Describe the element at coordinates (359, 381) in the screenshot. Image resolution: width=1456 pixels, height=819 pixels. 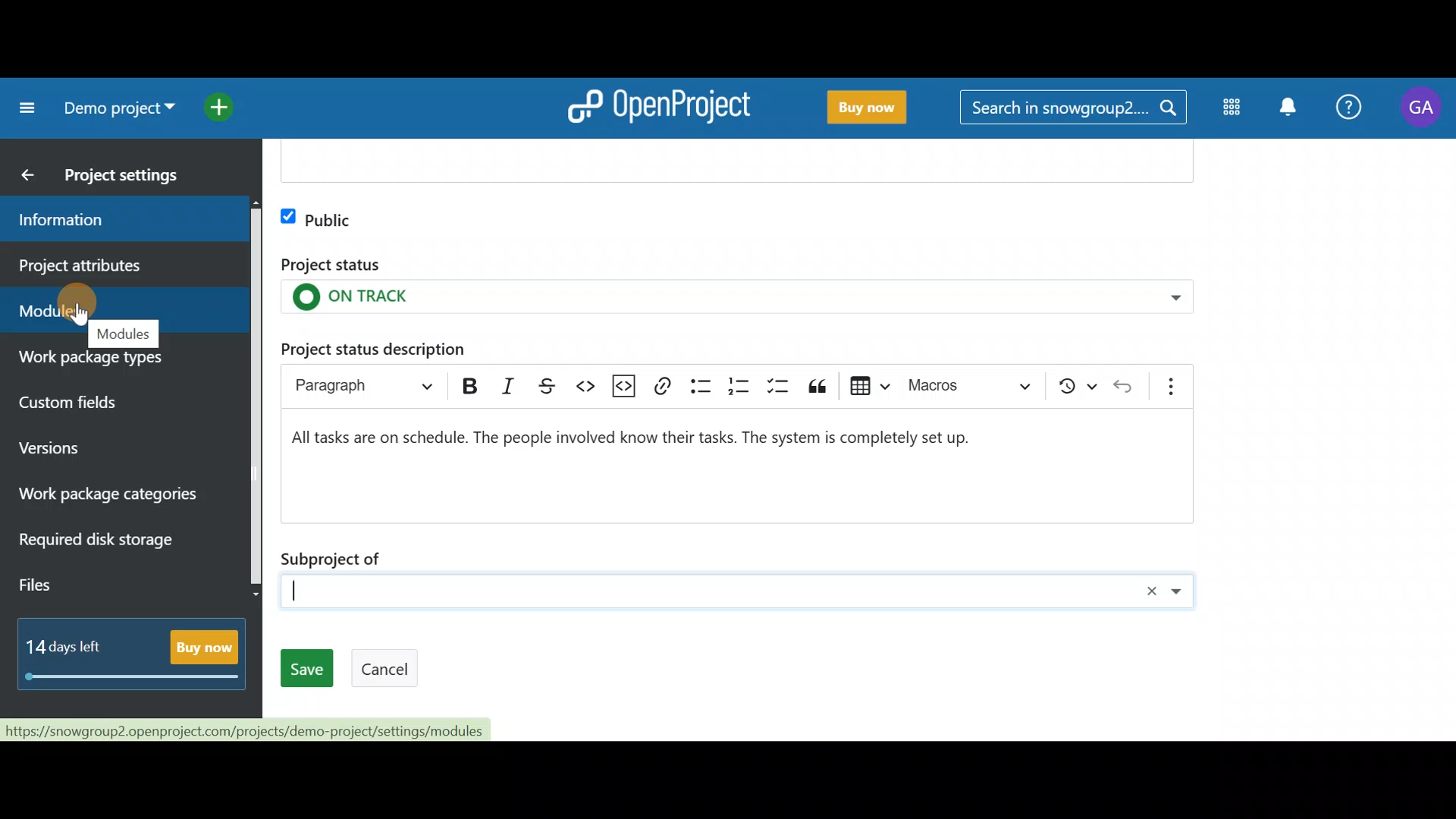
I see `Heading` at that location.